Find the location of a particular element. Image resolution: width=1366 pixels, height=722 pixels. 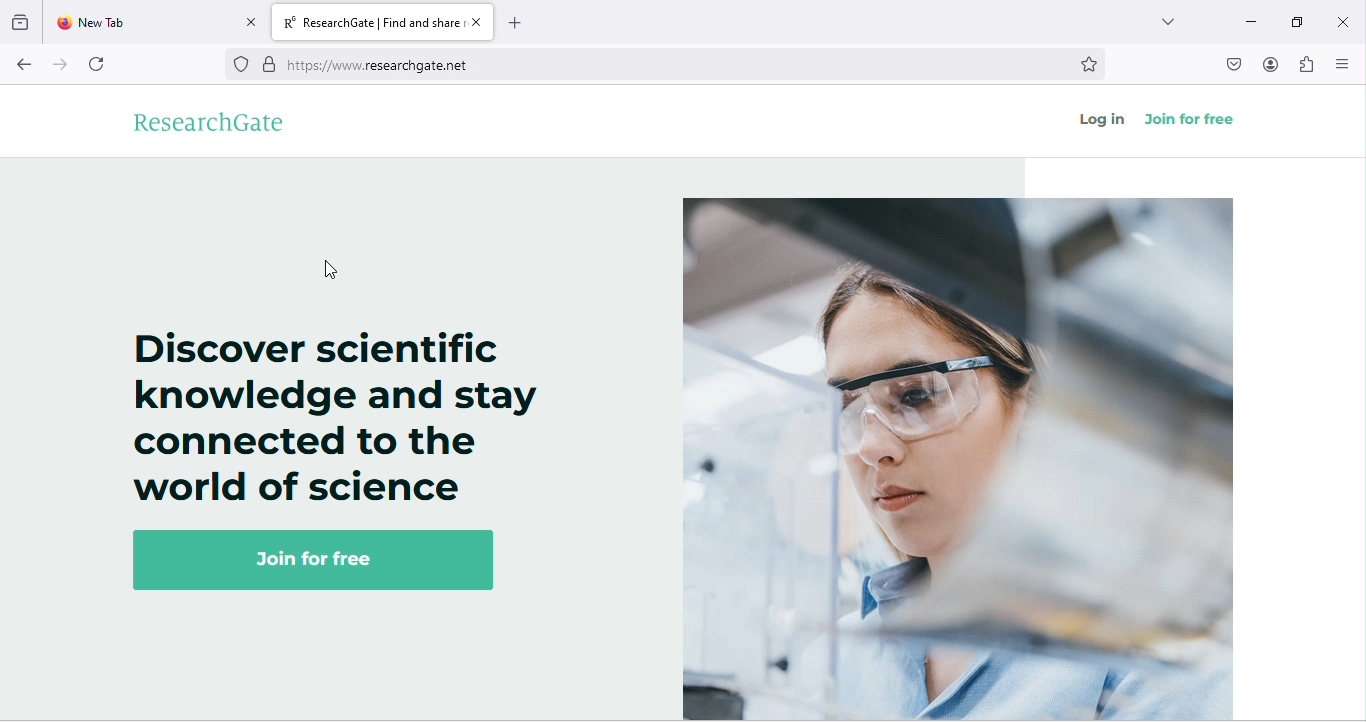

search tab is located at coordinates (1175, 26).